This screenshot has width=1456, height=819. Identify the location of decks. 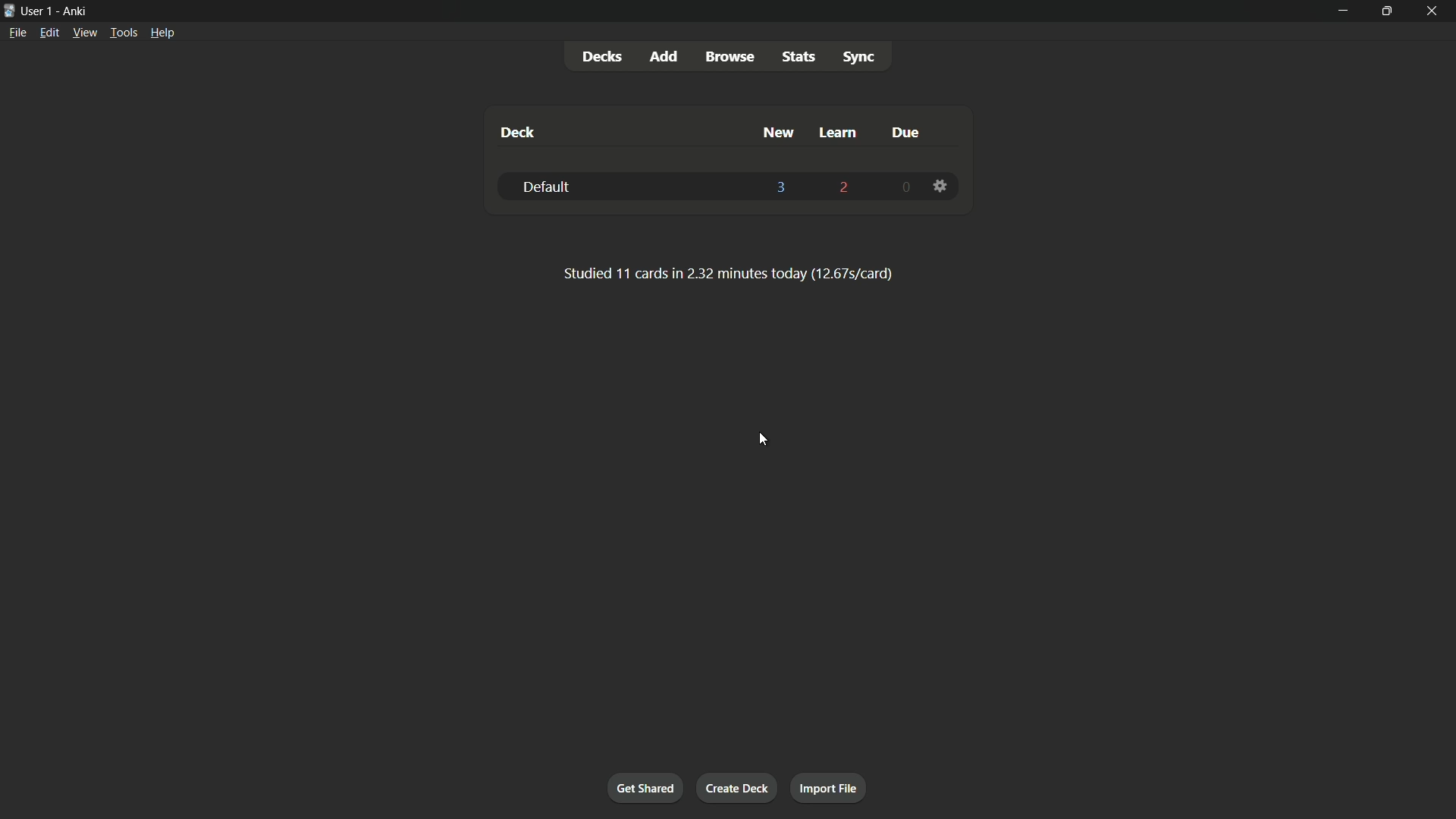
(601, 57).